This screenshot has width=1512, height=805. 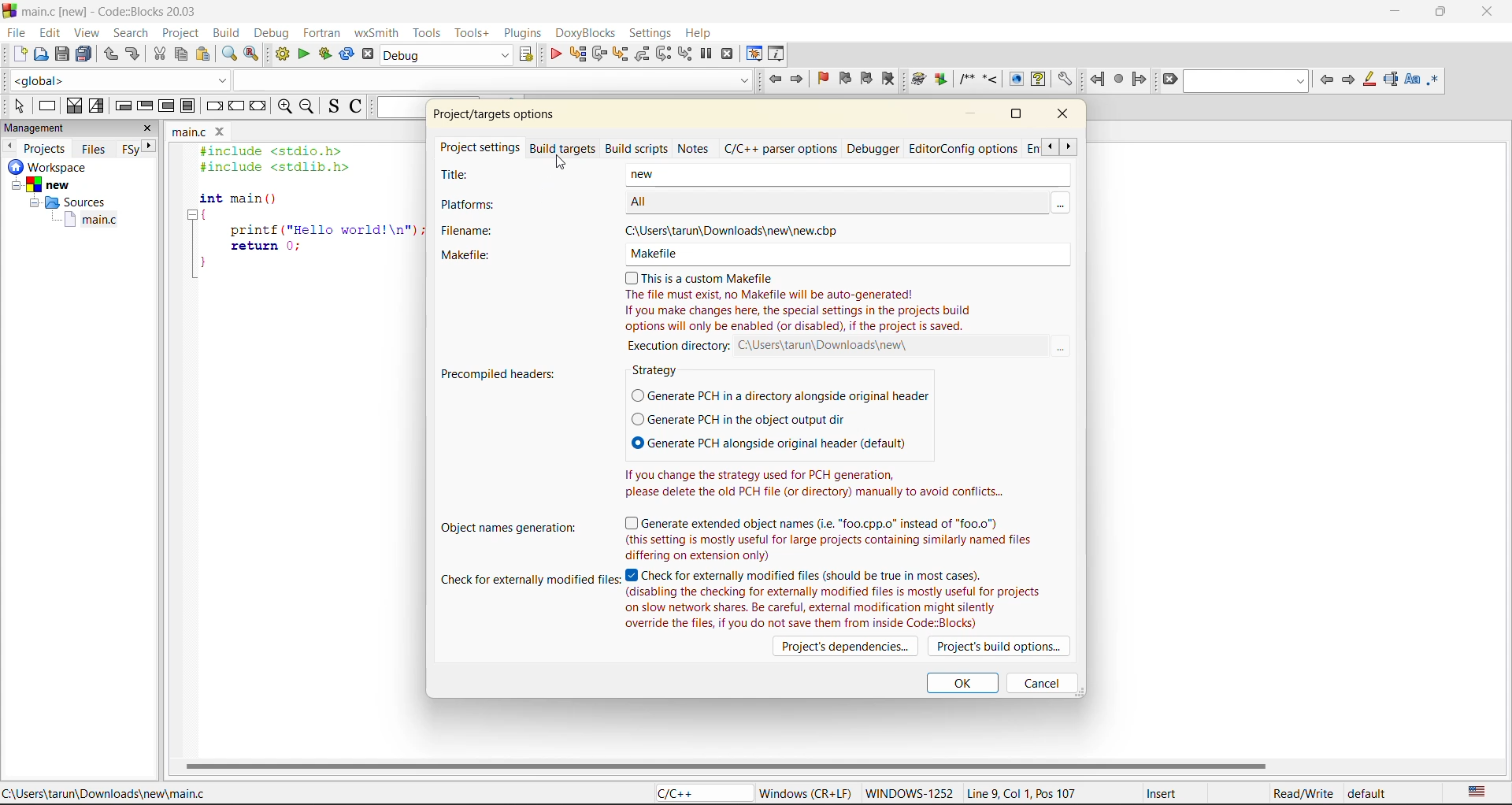 What do you see at coordinates (1369, 80) in the screenshot?
I see `highlight` at bounding box center [1369, 80].